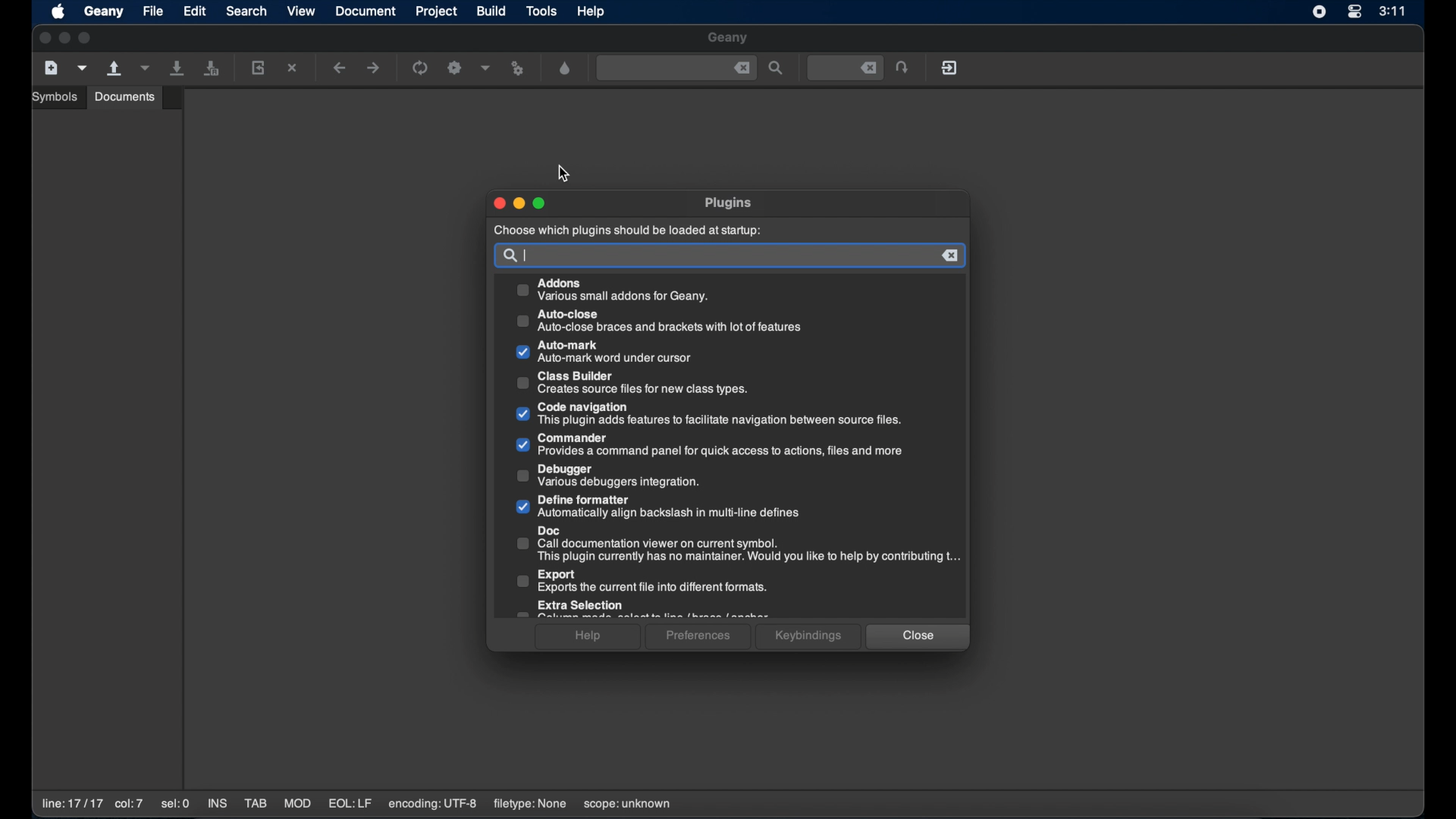  Describe the element at coordinates (486, 67) in the screenshot. I see `choose more build options` at that location.